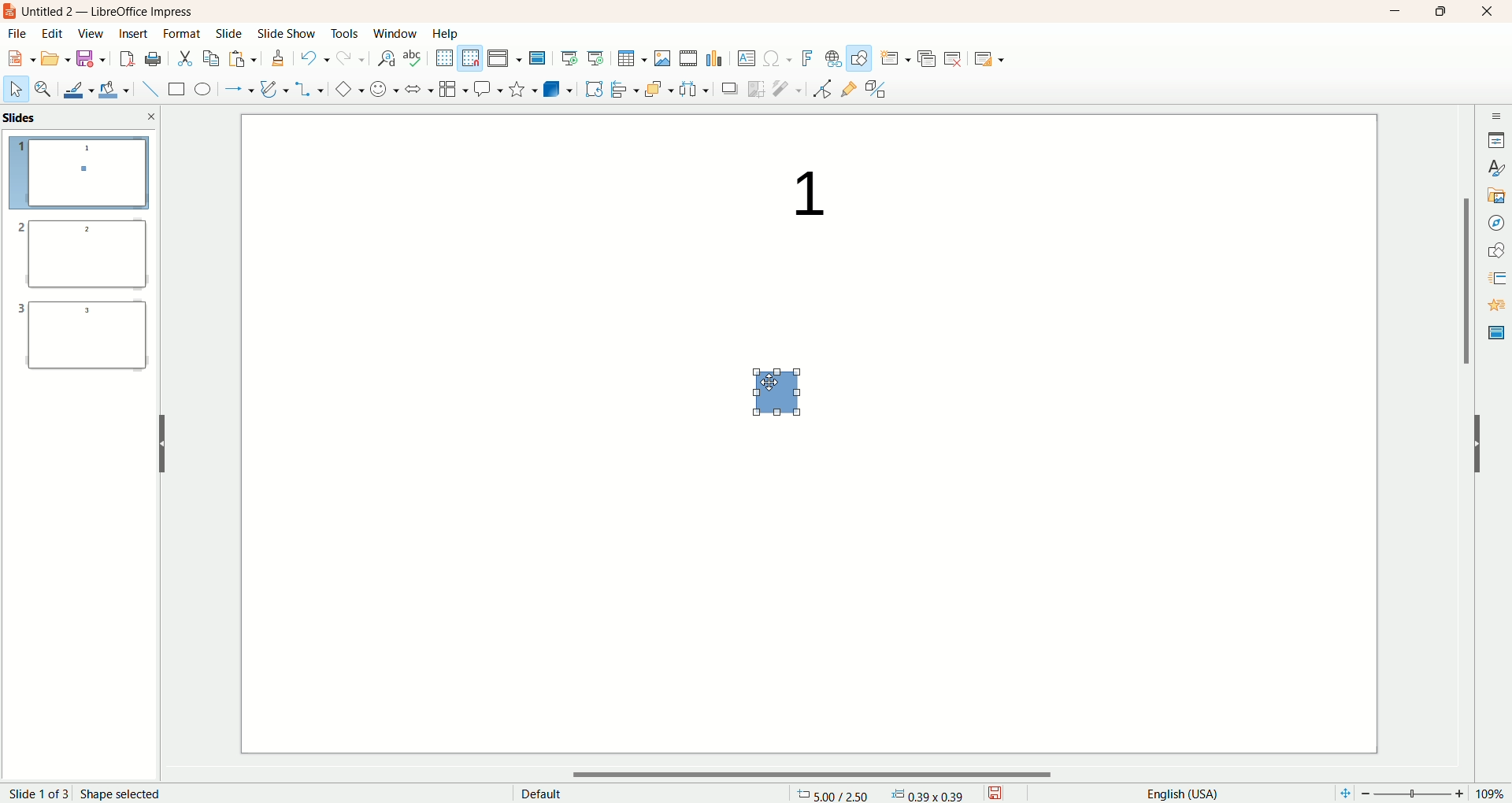  Describe the element at coordinates (75, 89) in the screenshot. I see `line color` at that location.